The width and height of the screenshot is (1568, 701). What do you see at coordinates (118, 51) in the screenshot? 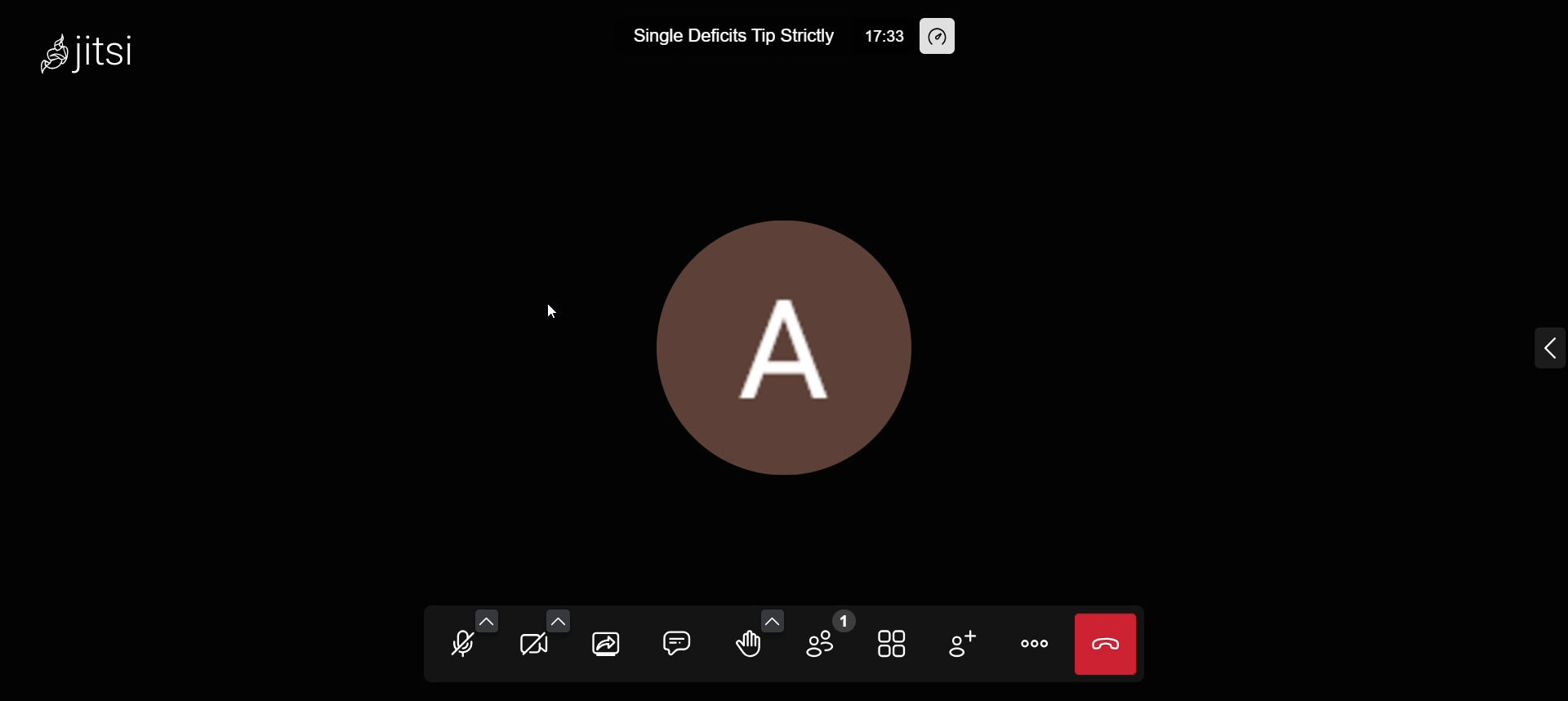
I see `jitsi` at bounding box center [118, 51].